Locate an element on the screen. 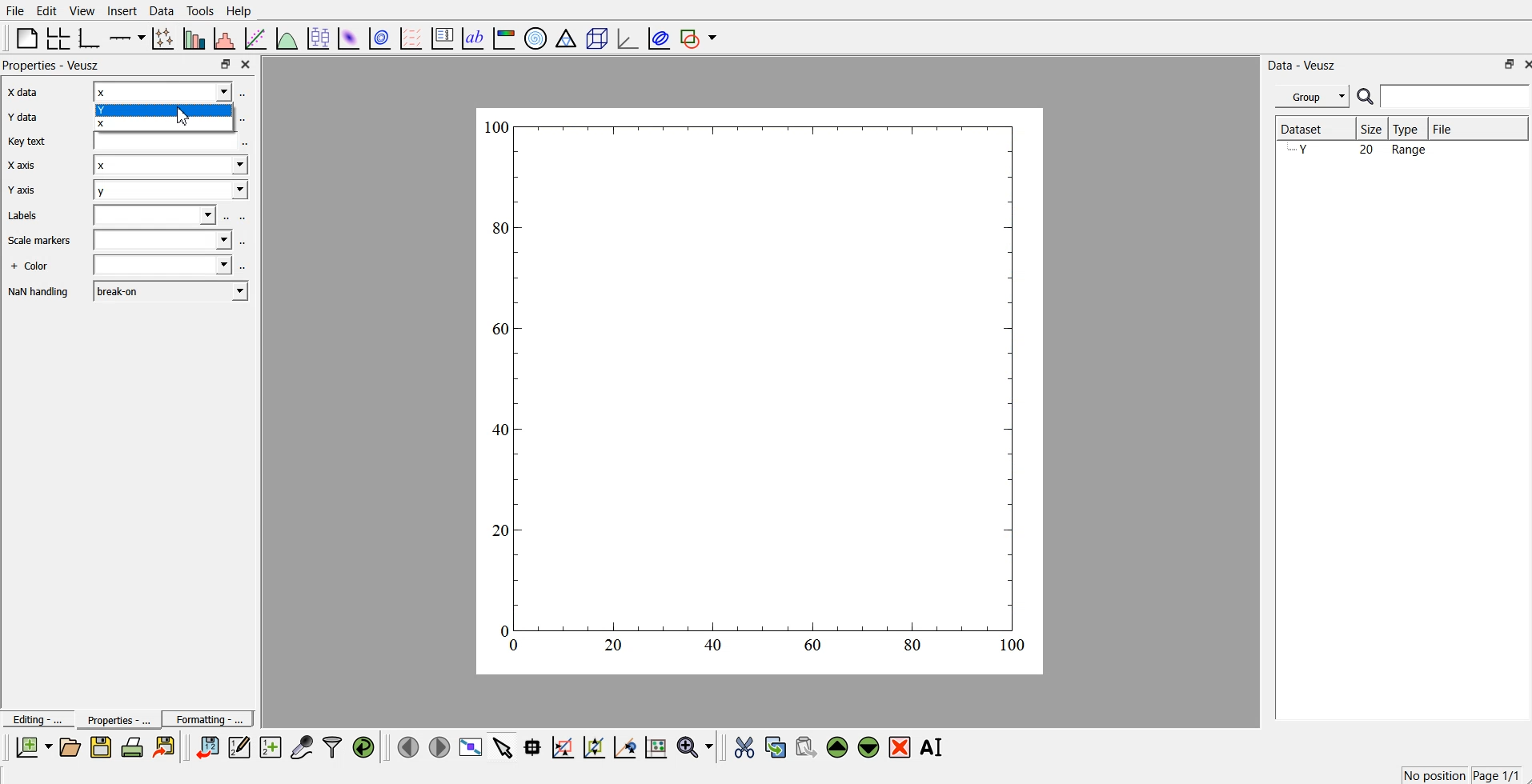  Close is located at coordinates (1522, 63).